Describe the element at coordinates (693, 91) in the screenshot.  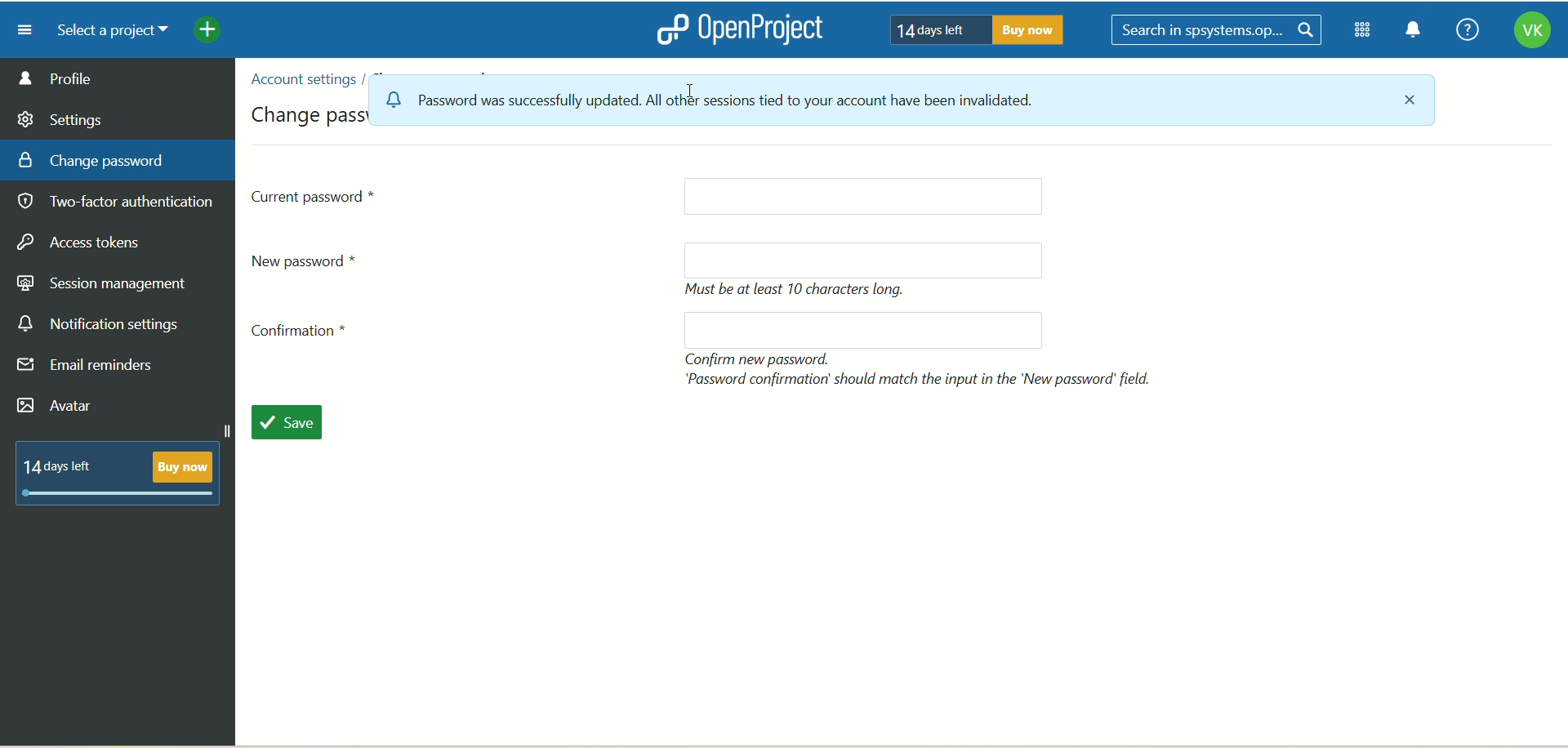
I see `cursor` at that location.